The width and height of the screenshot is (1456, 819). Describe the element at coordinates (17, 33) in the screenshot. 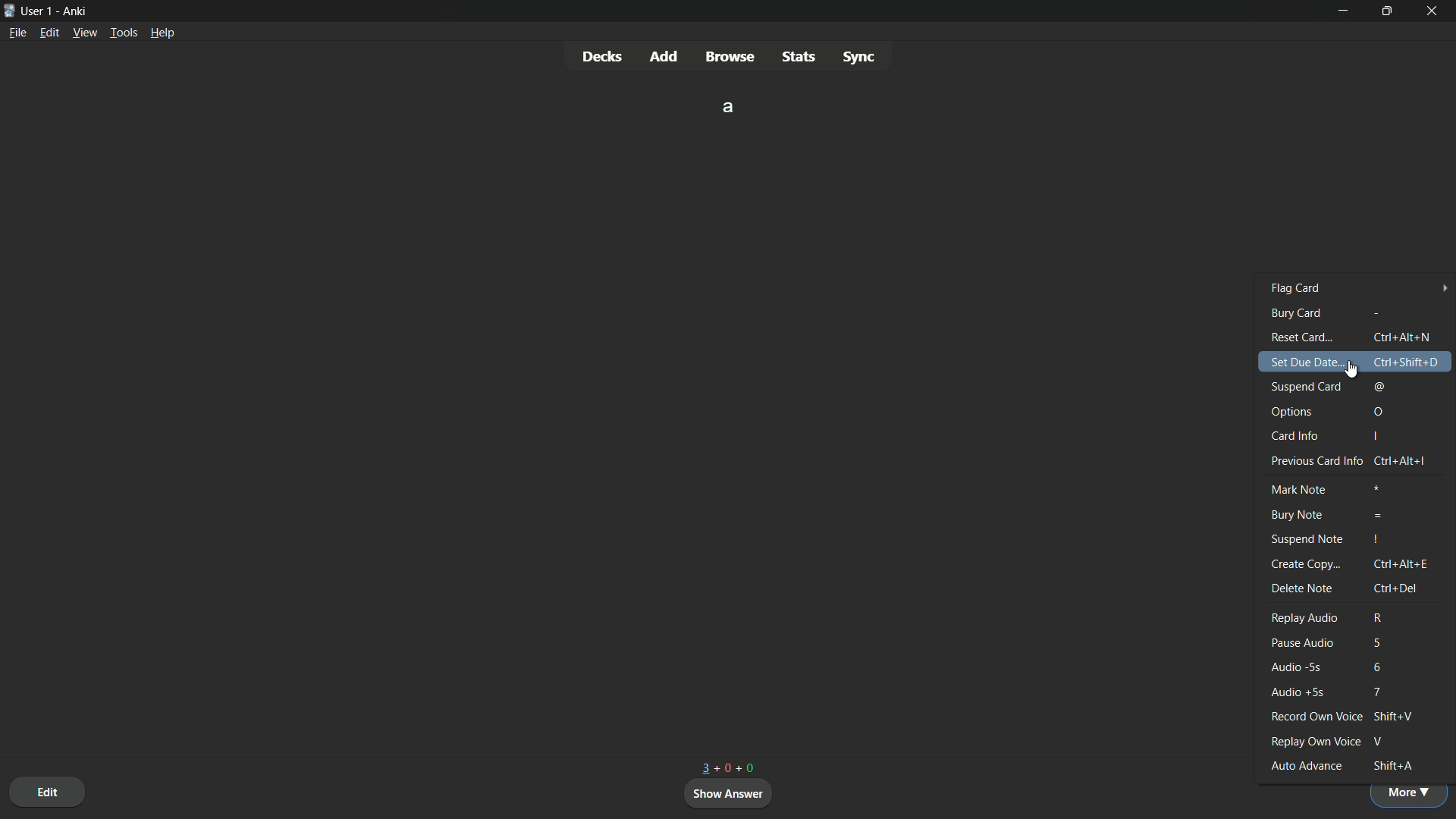

I see `file menu` at that location.